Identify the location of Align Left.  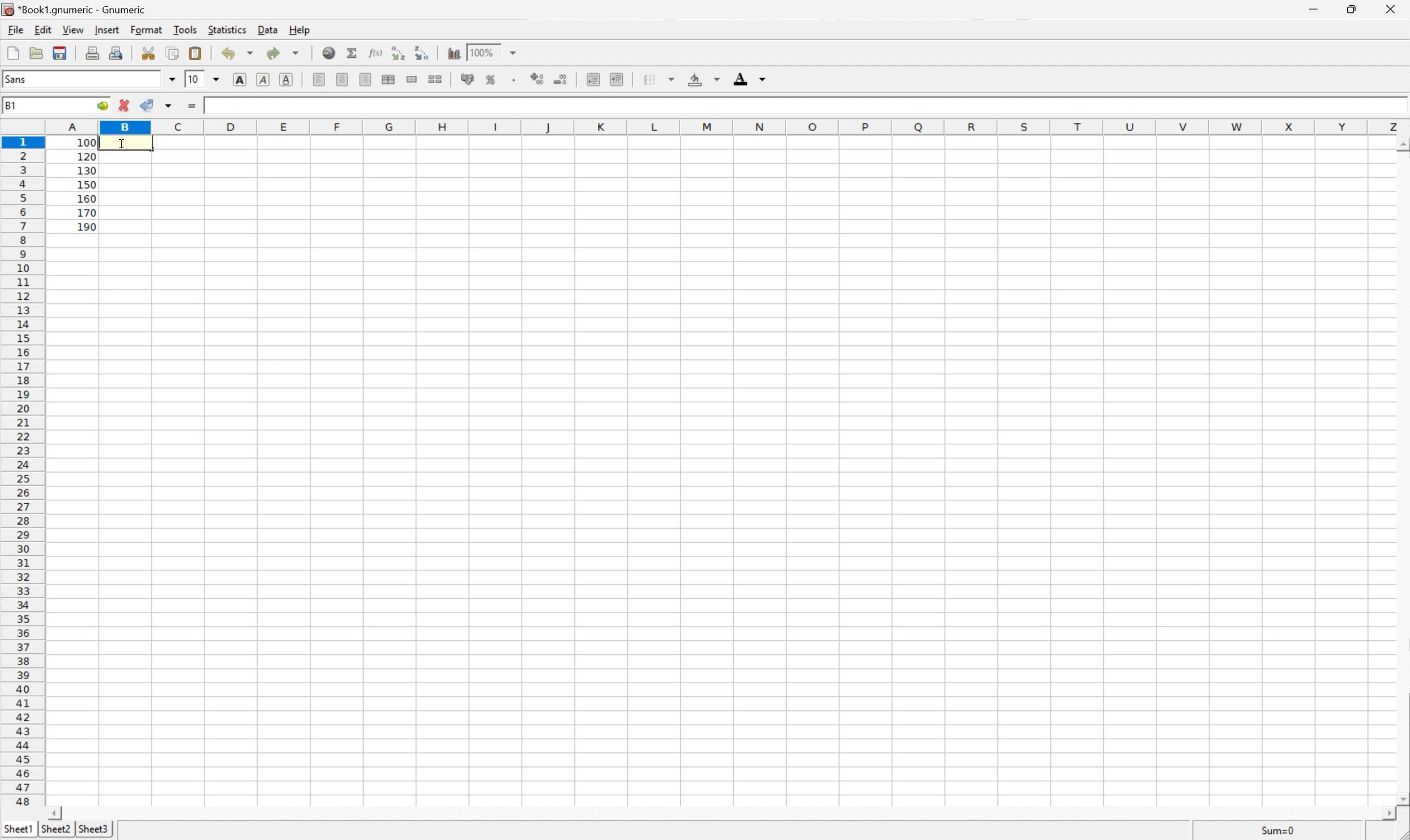
(318, 79).